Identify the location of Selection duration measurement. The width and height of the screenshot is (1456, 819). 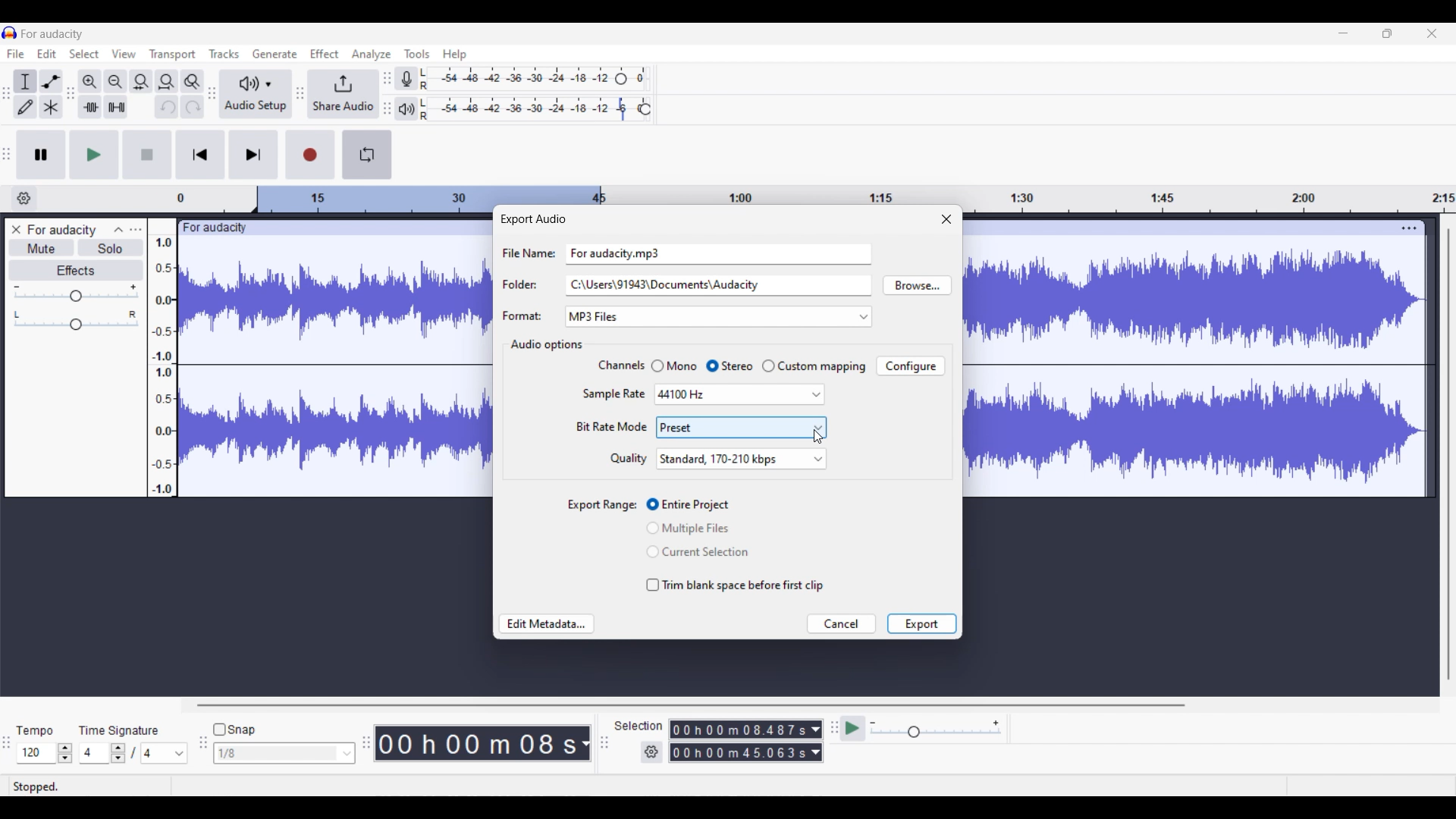
(739, 752).